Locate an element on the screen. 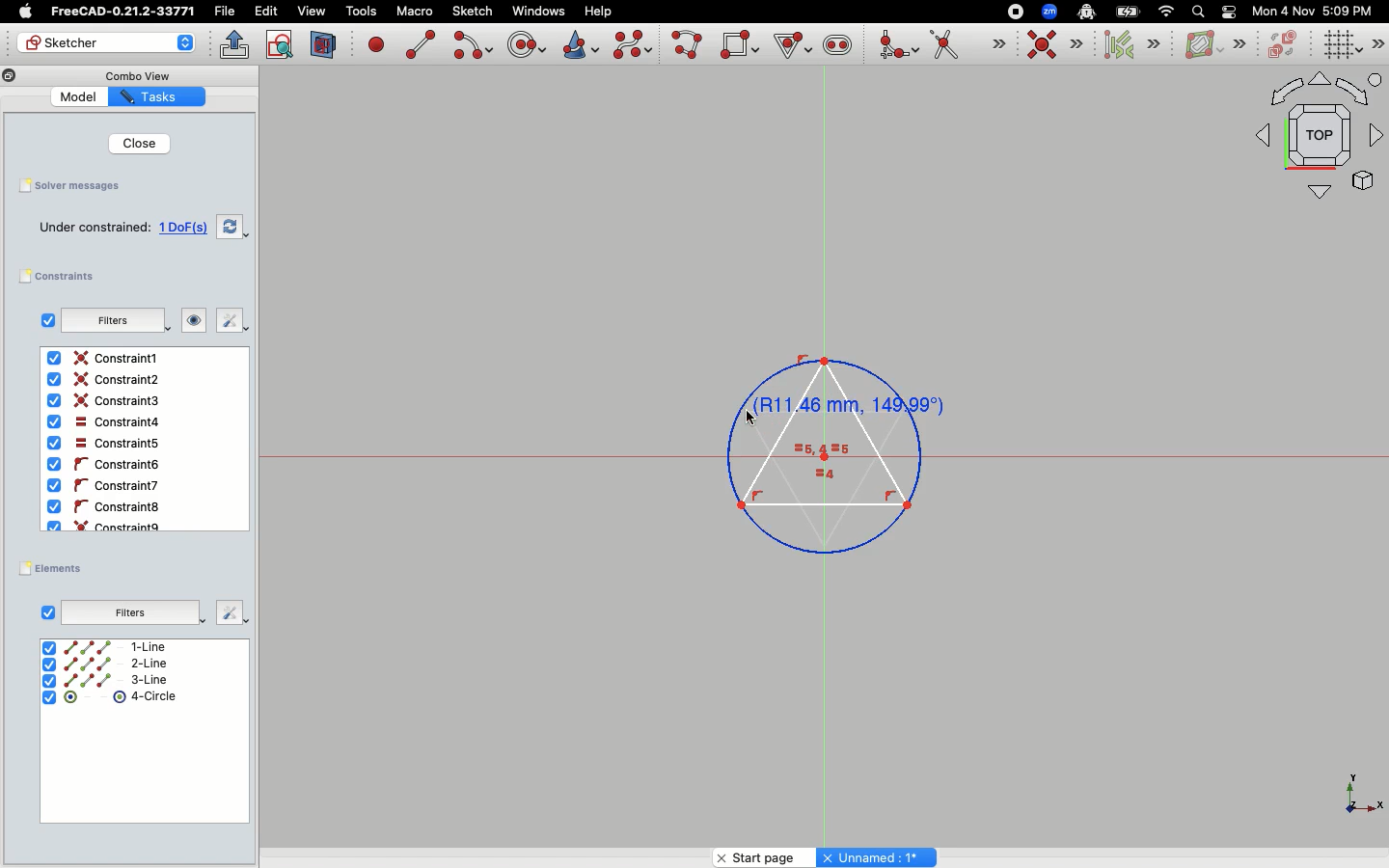  Windows is located at coordinates (538, 12).